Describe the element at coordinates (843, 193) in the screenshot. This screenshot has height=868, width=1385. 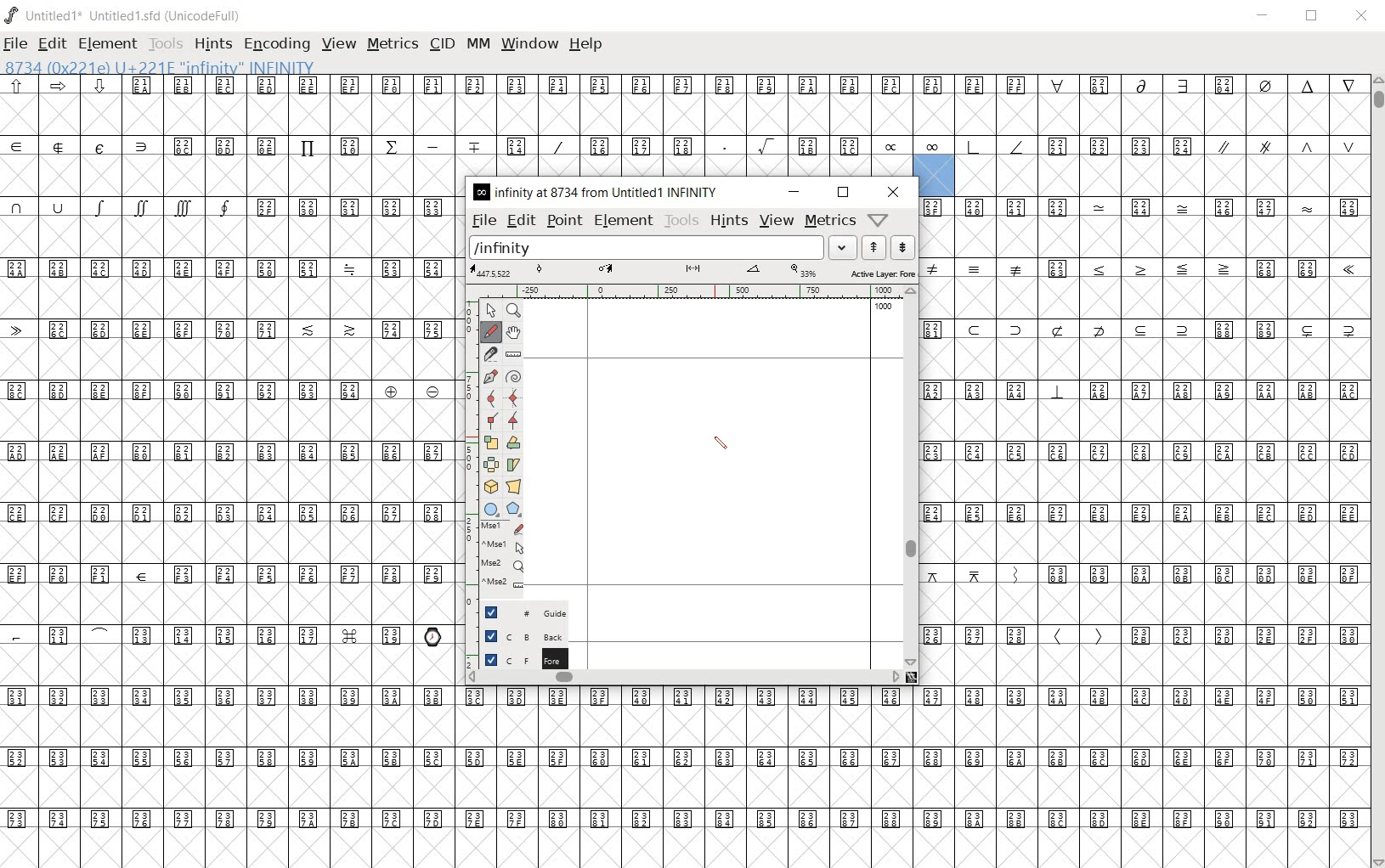
I see `restore down` at that location.